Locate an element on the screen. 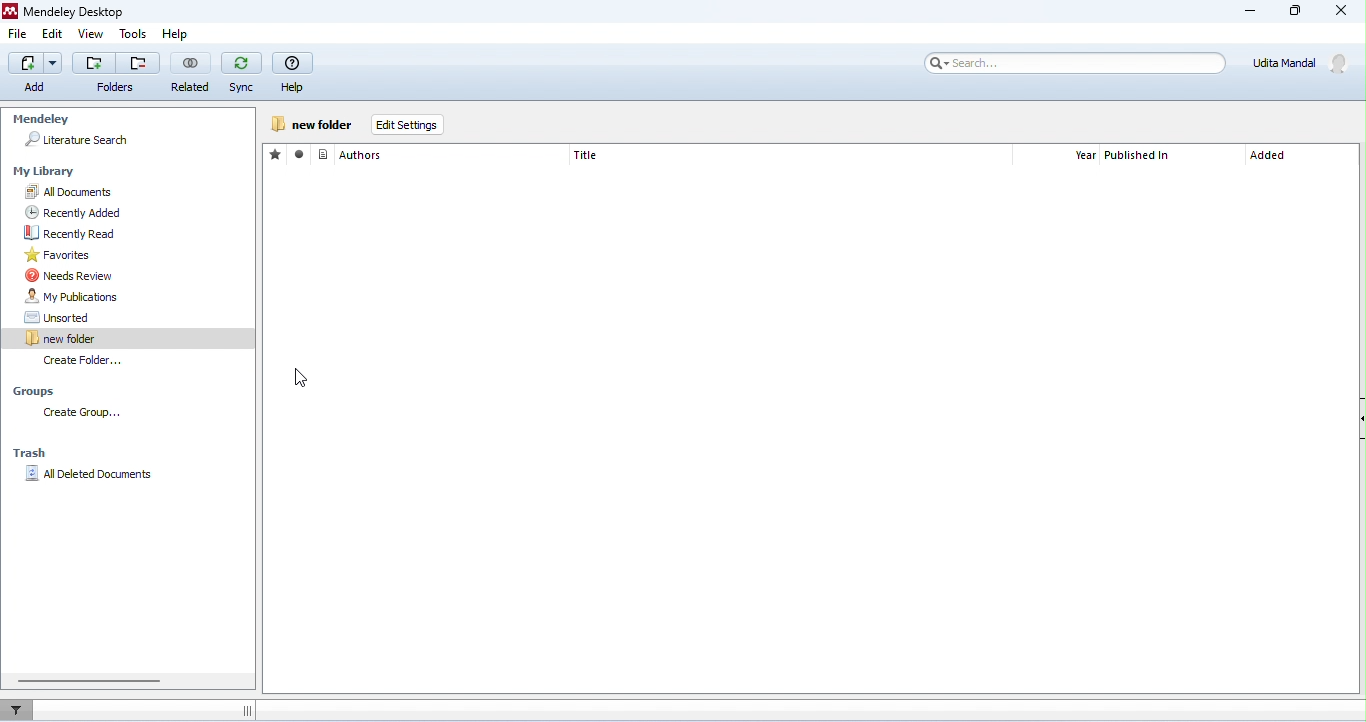 The height and width of the screenshot is (722, 1366). horizontal scroll bar is located at coordinates (89, 680).